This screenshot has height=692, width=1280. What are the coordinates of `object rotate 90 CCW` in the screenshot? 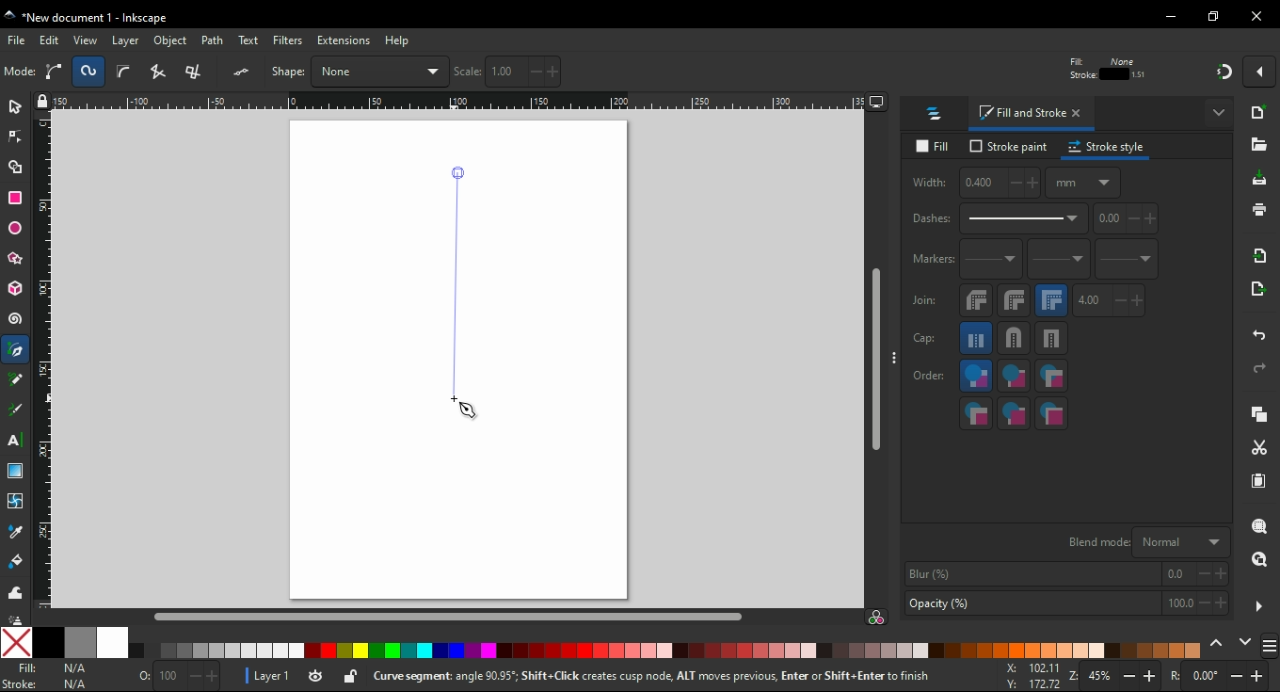 It's located at (167, 72).